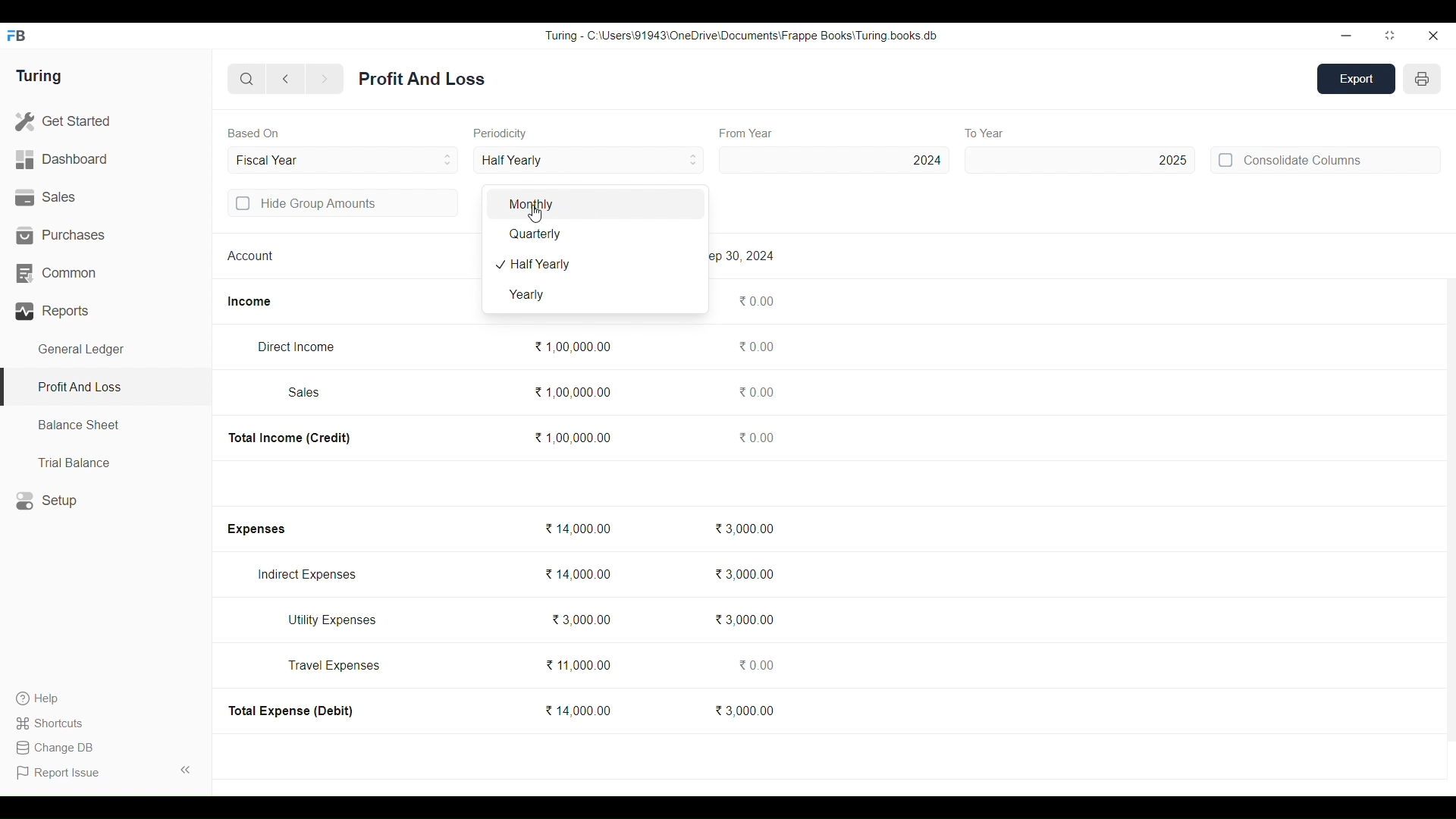  Describe the element at coordinates (105, 388) in the screenshot. I see `Profit And Loss` at that location.